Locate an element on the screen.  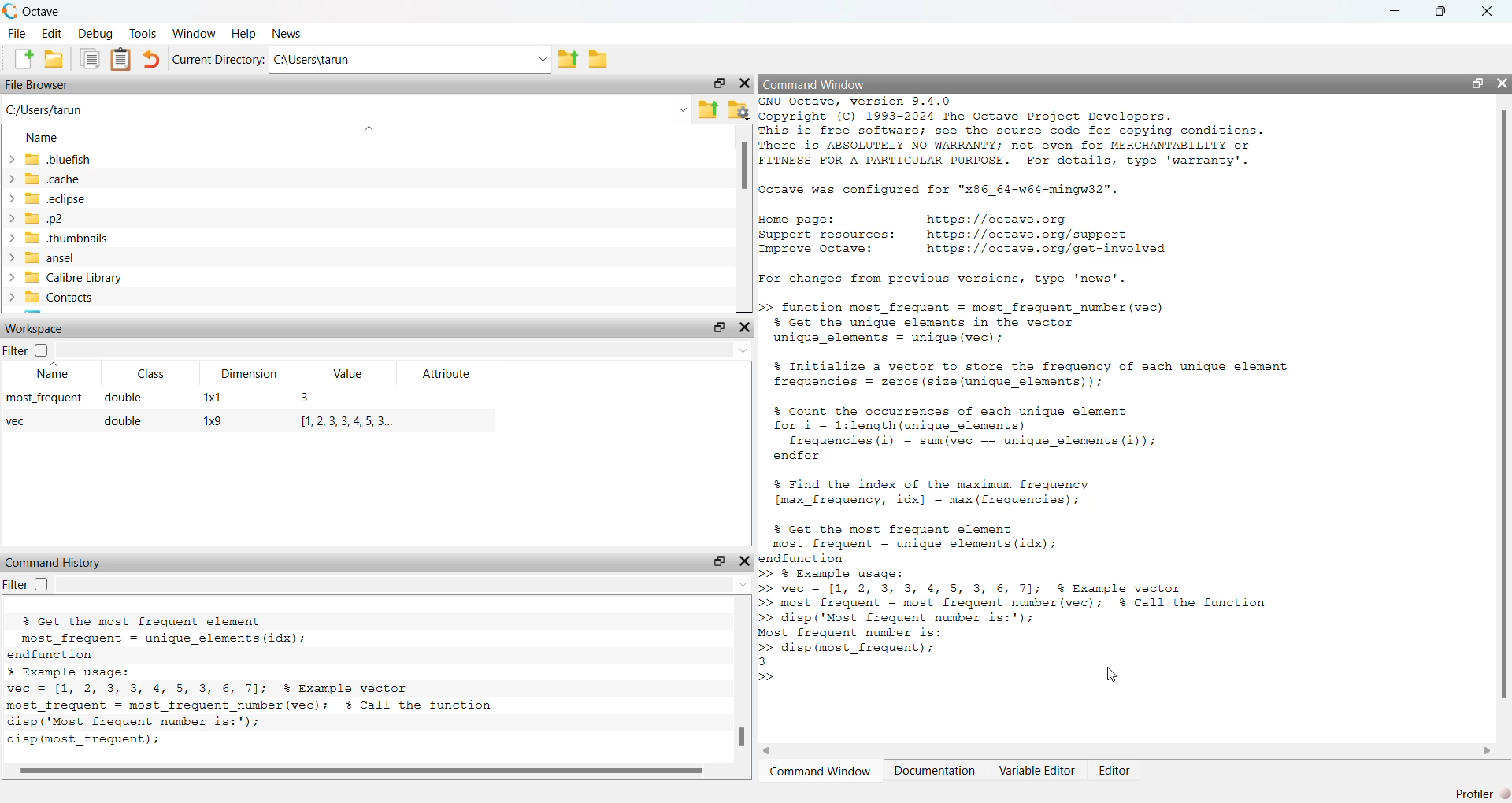
3 is located at coordinates (305, 398).